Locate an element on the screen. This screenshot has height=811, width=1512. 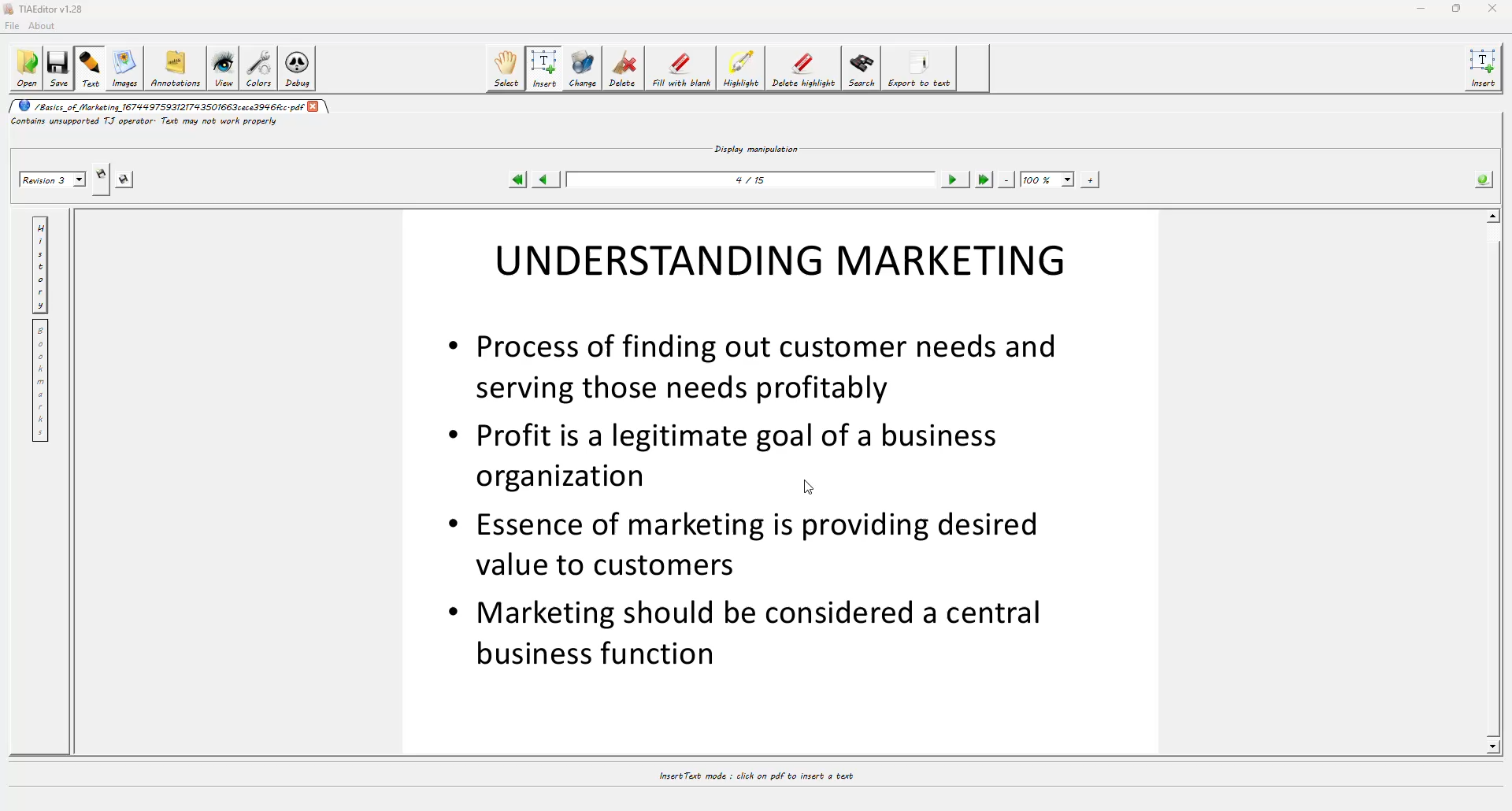
change is located at coordinates (583, 68).